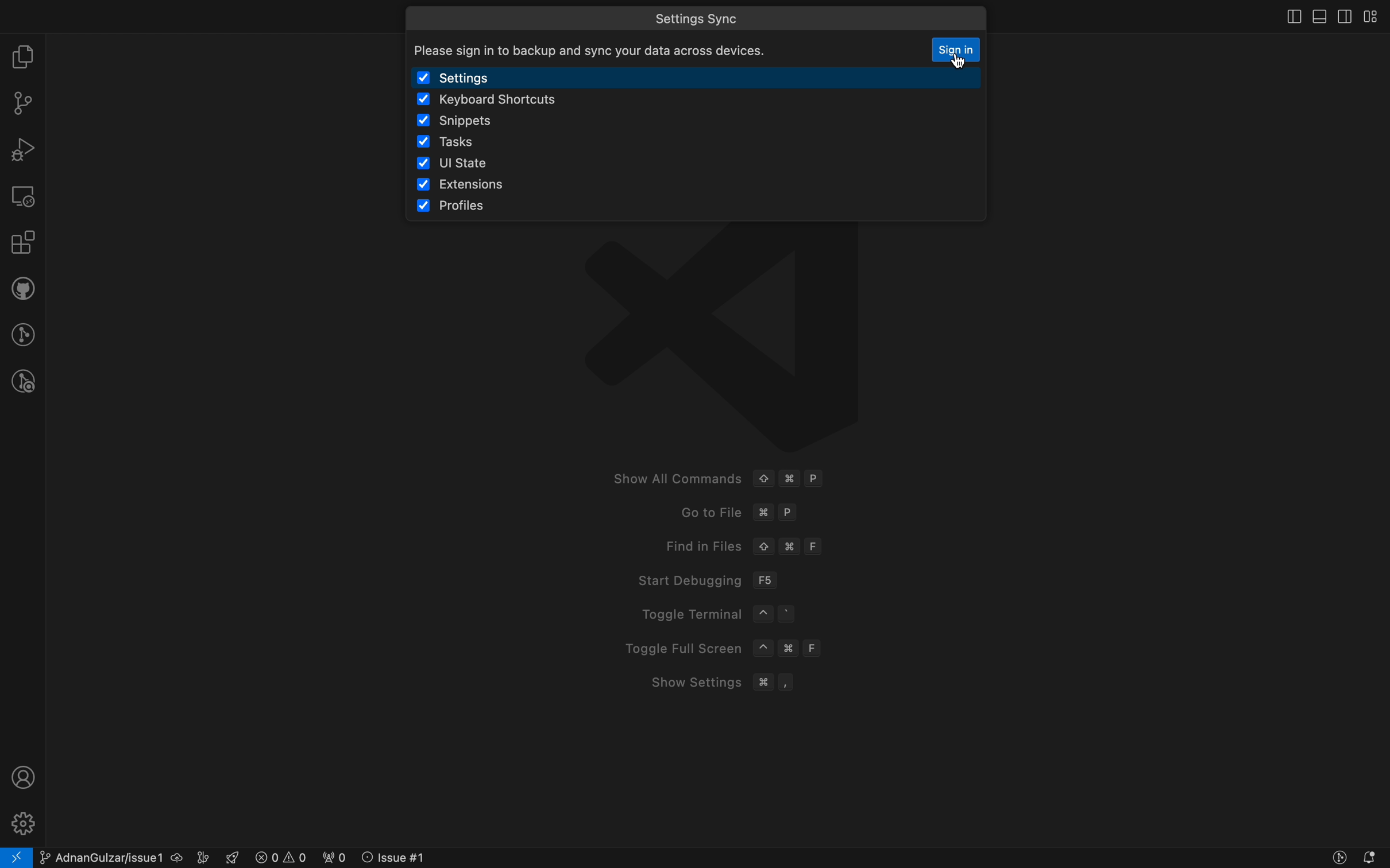 This screenshot has width=1390, height=868. What do you see at coordinates (535, 101) in the screenshot?
I see `keyboardstructres` at bounding box center [535, 101].